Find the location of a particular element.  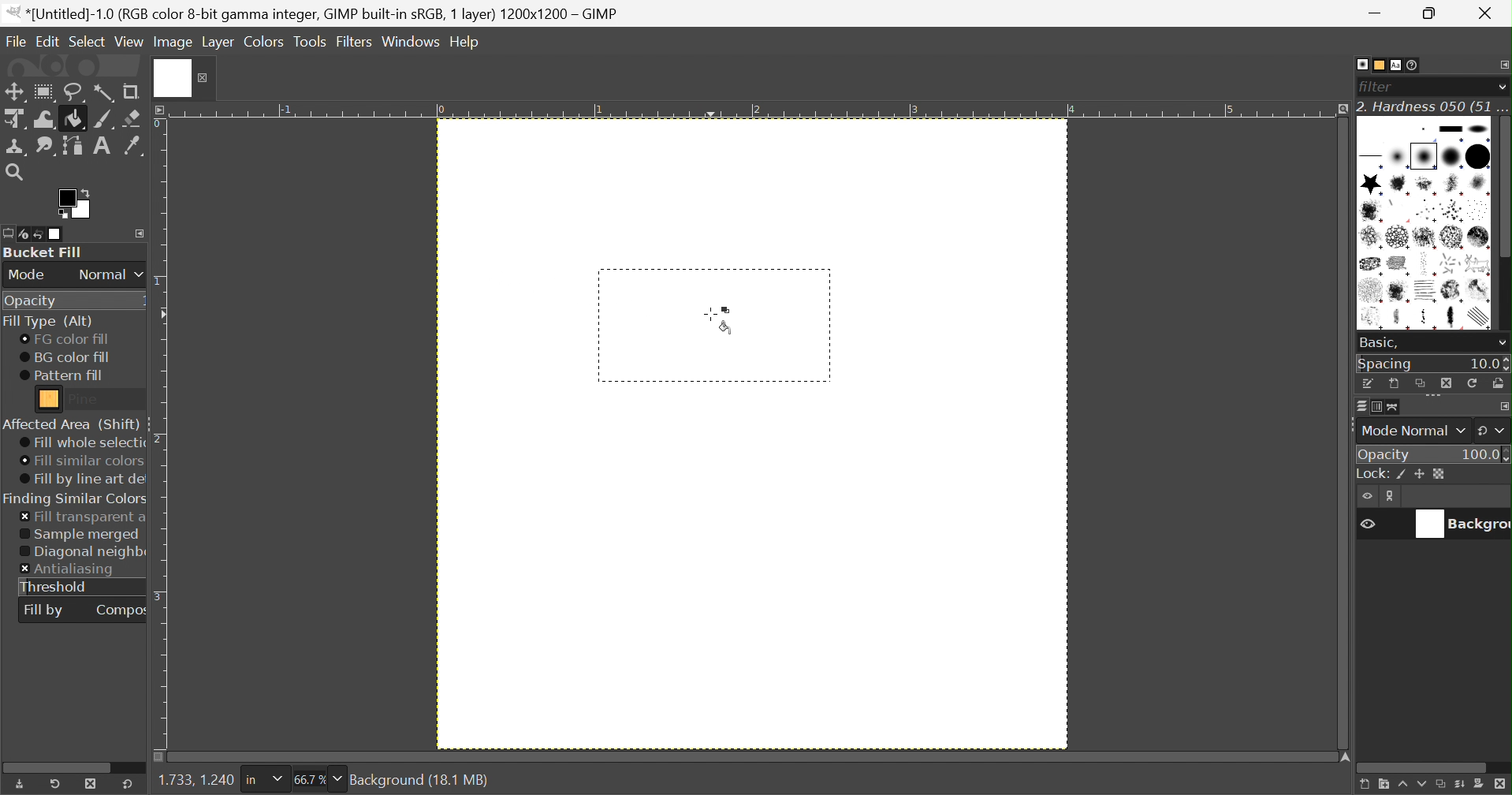

Edit Layer is located at coordinates (1393, 496).